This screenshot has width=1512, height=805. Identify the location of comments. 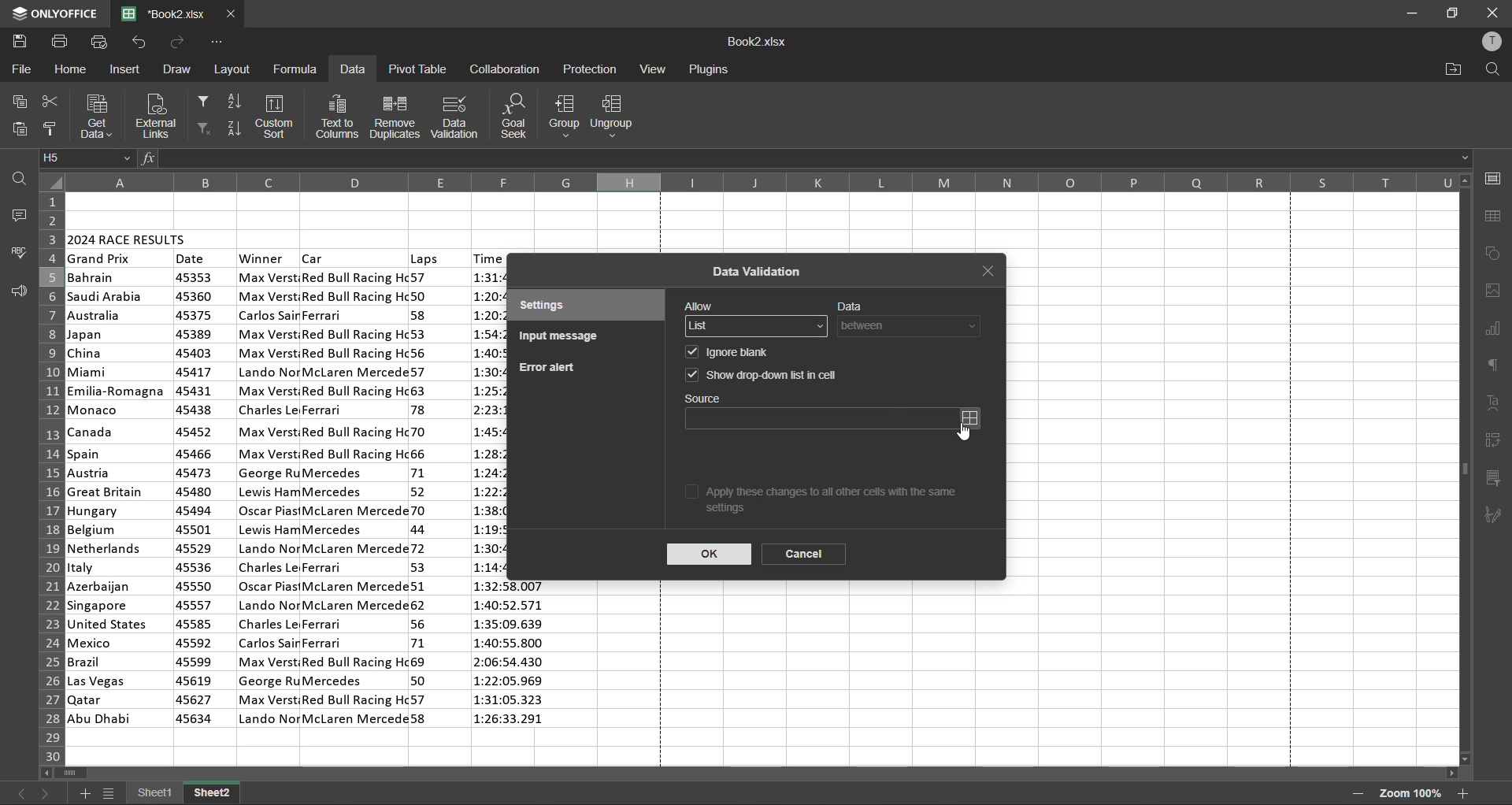
(16, 215).